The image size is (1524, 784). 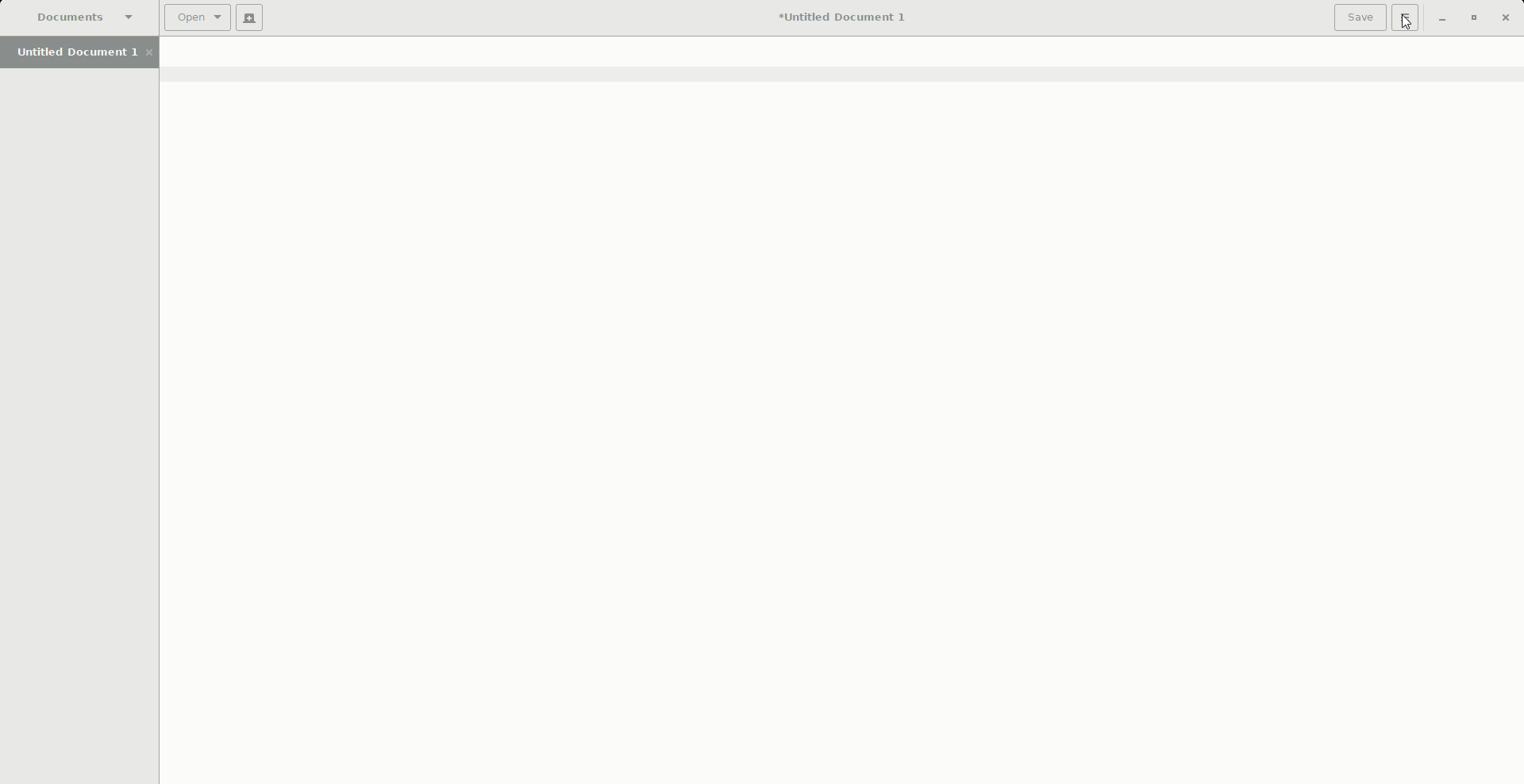 I want to click on Save, so click(x=1359, y=17).